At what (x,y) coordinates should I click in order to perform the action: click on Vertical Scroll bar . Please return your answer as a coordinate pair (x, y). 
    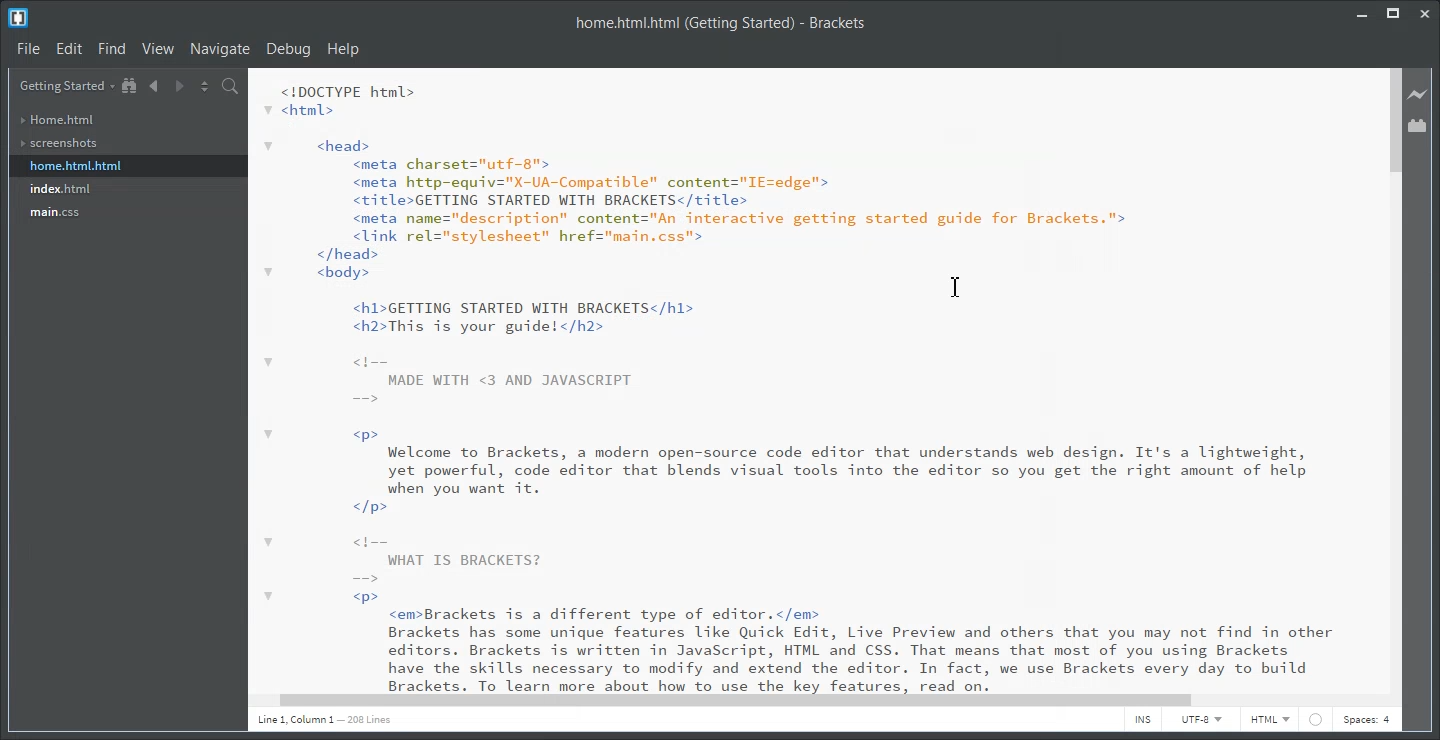
    Looking at the image, I should click on (1393, 379).